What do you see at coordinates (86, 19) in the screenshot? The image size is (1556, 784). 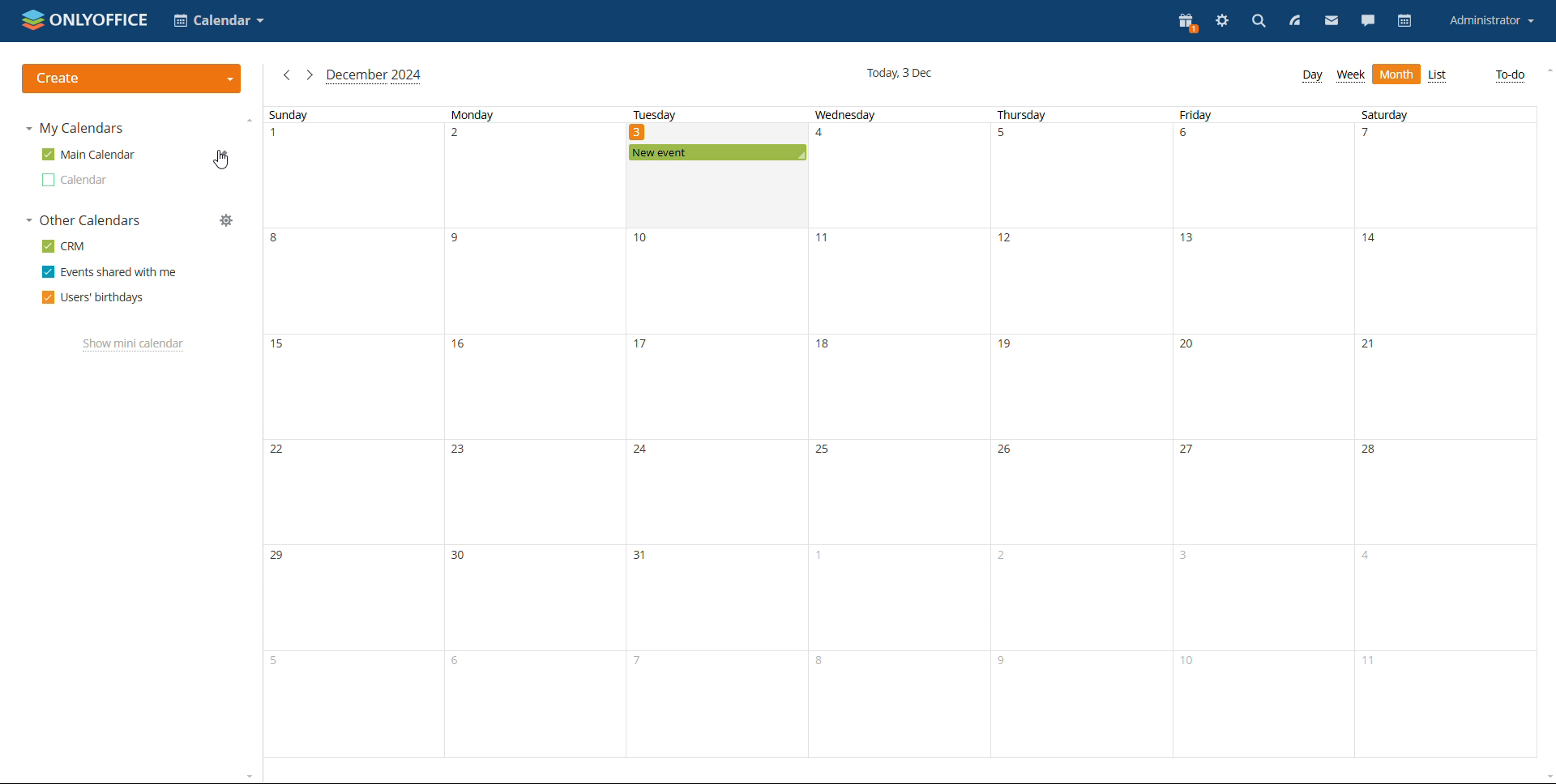 I see `logo` at bounding box center [86, 19].